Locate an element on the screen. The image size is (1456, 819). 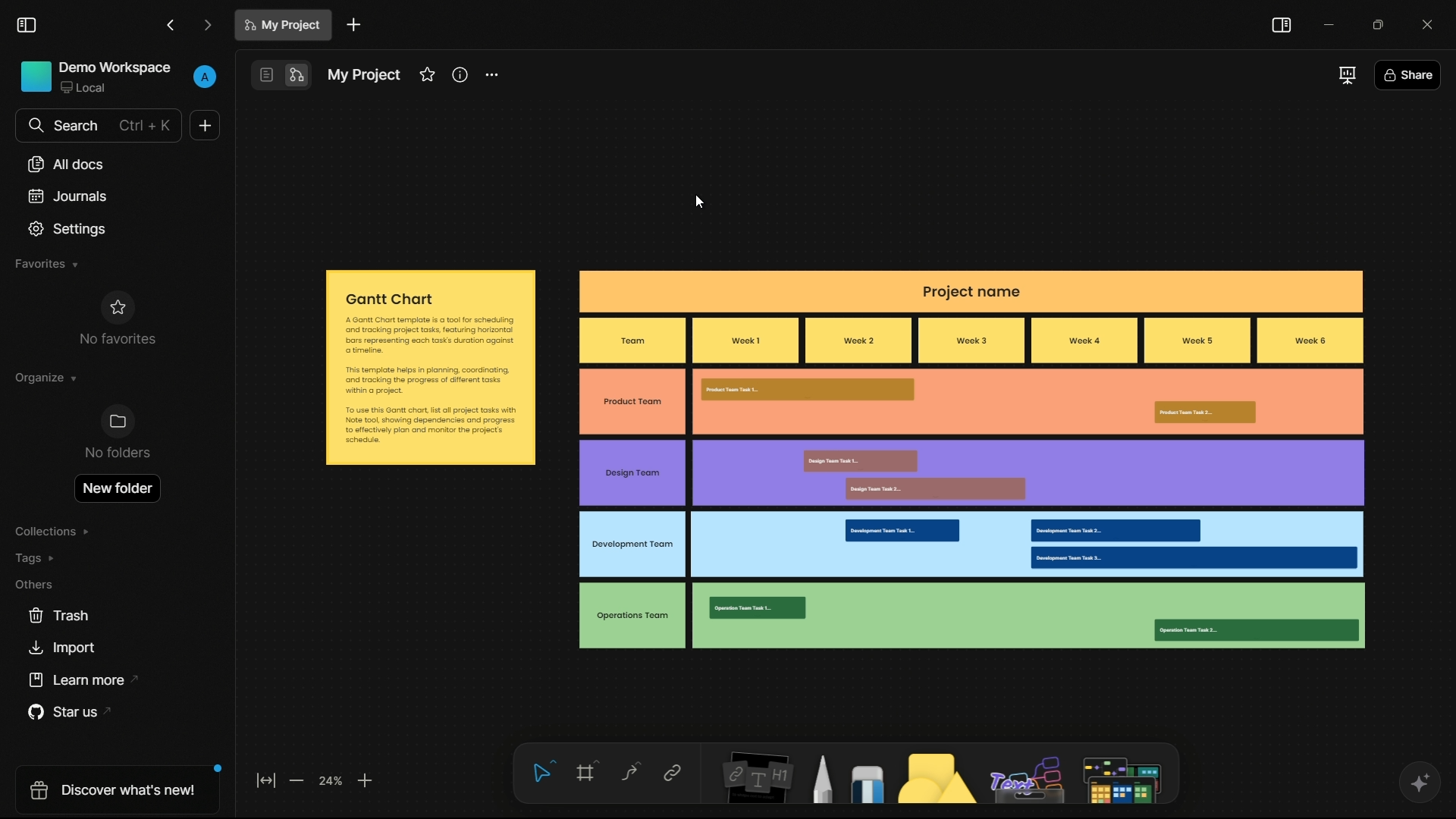
frame is located at coordinates (588, 774).